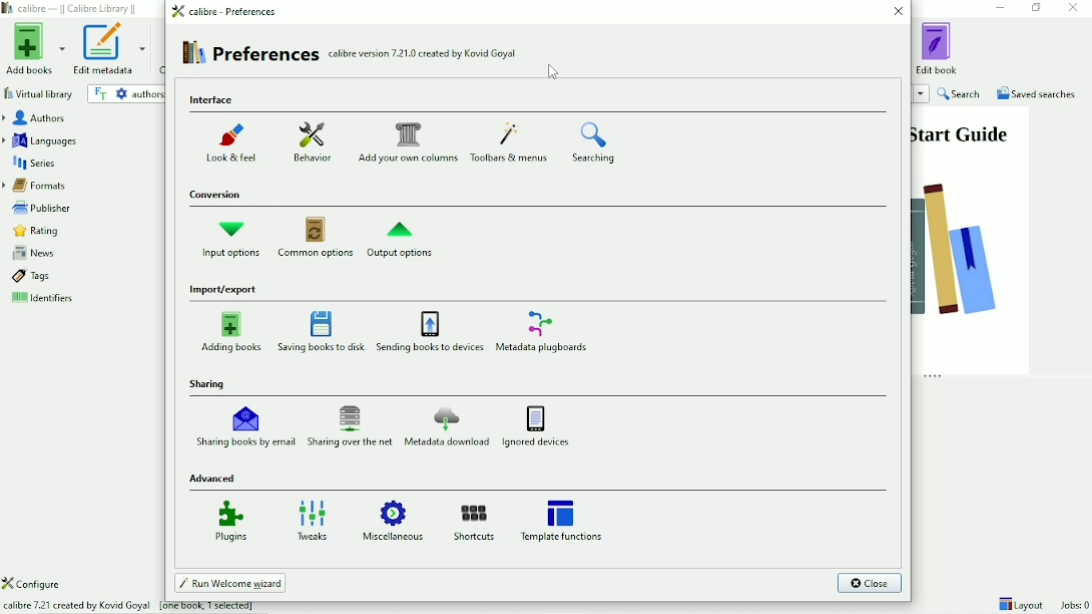 The width and height of the screenshot is (1092, 614). I want to click on calibre 7.21 created by Kovid Goyal      [one book, 1 selected], so click(138, 607).